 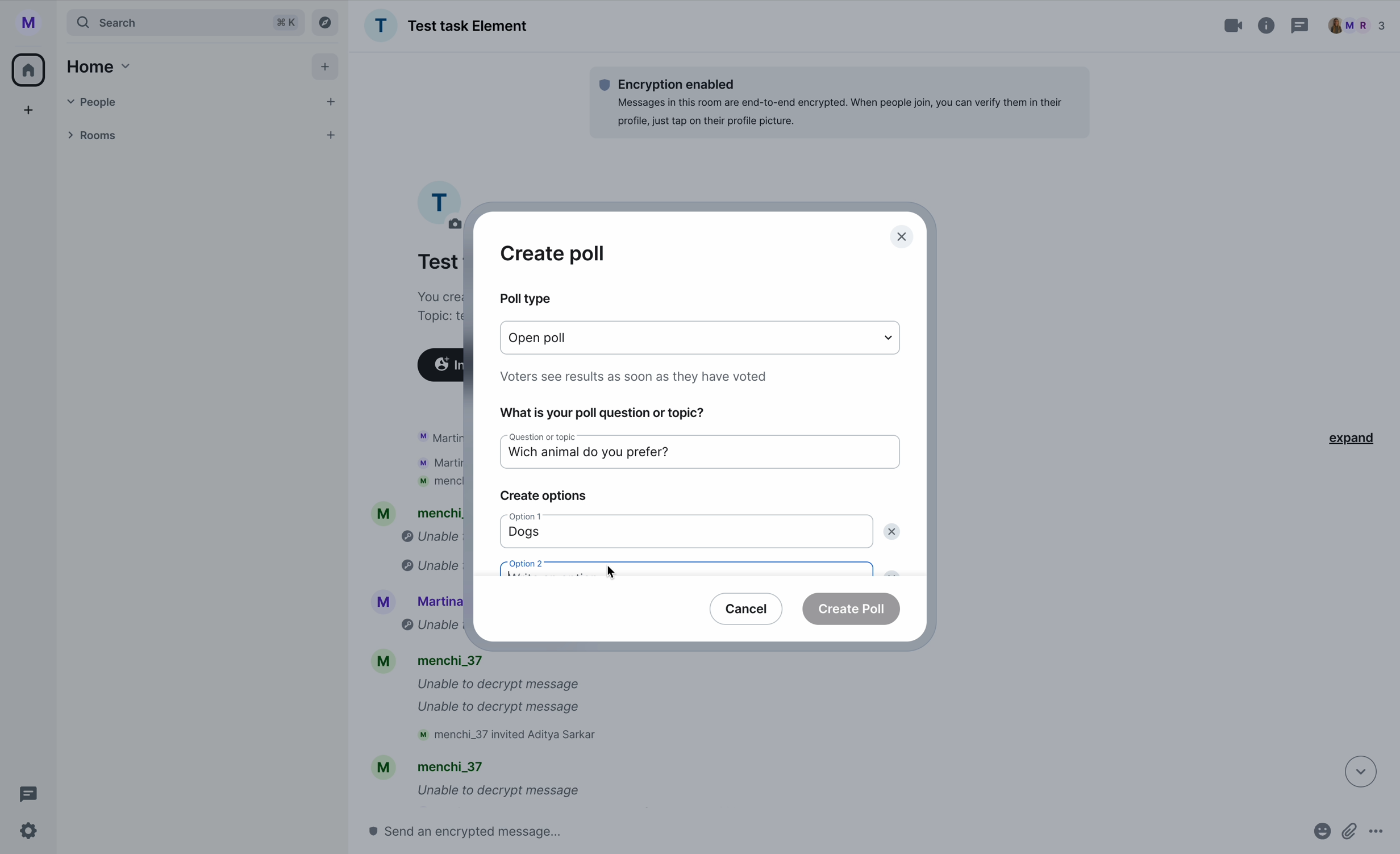 I want to click on close pop-up, so click(x=903, y=238).